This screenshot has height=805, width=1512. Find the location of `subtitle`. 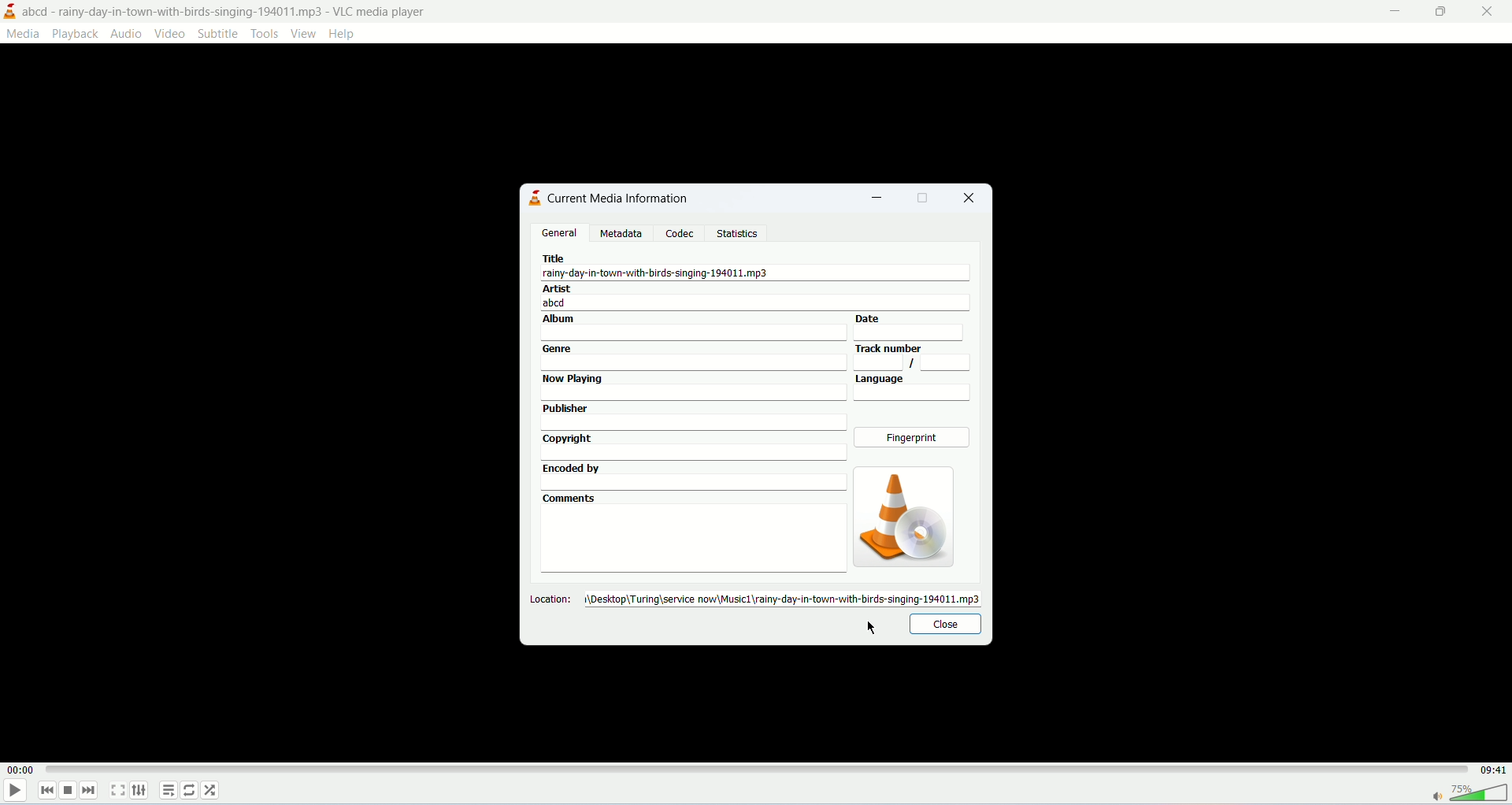

subtitle is located at coordinates (217, 34).